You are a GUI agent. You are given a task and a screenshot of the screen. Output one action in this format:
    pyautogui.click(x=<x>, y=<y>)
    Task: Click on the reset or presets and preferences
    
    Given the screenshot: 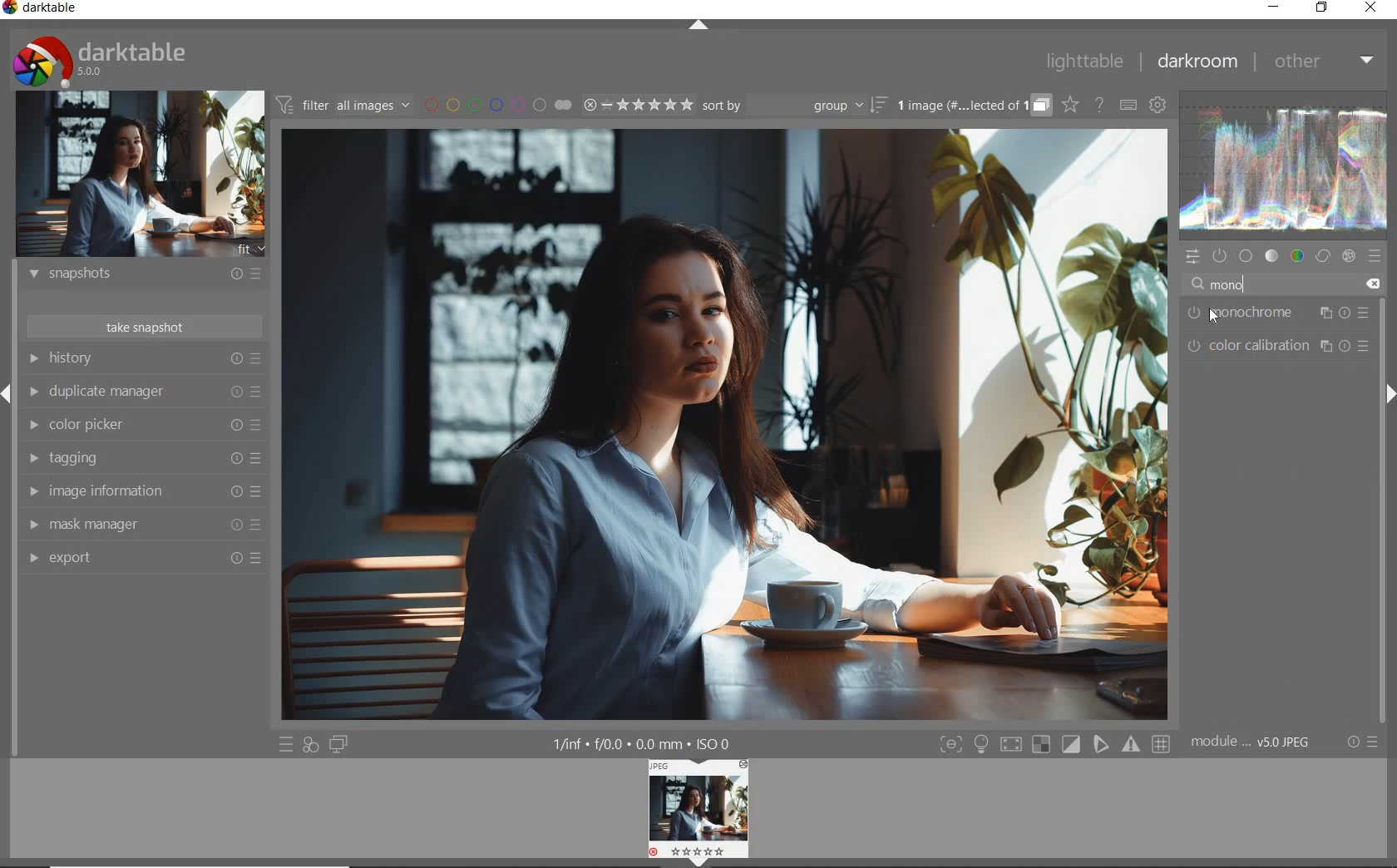 What is the action you would take?
    pyautogui.click(x=1360, y=742)
    